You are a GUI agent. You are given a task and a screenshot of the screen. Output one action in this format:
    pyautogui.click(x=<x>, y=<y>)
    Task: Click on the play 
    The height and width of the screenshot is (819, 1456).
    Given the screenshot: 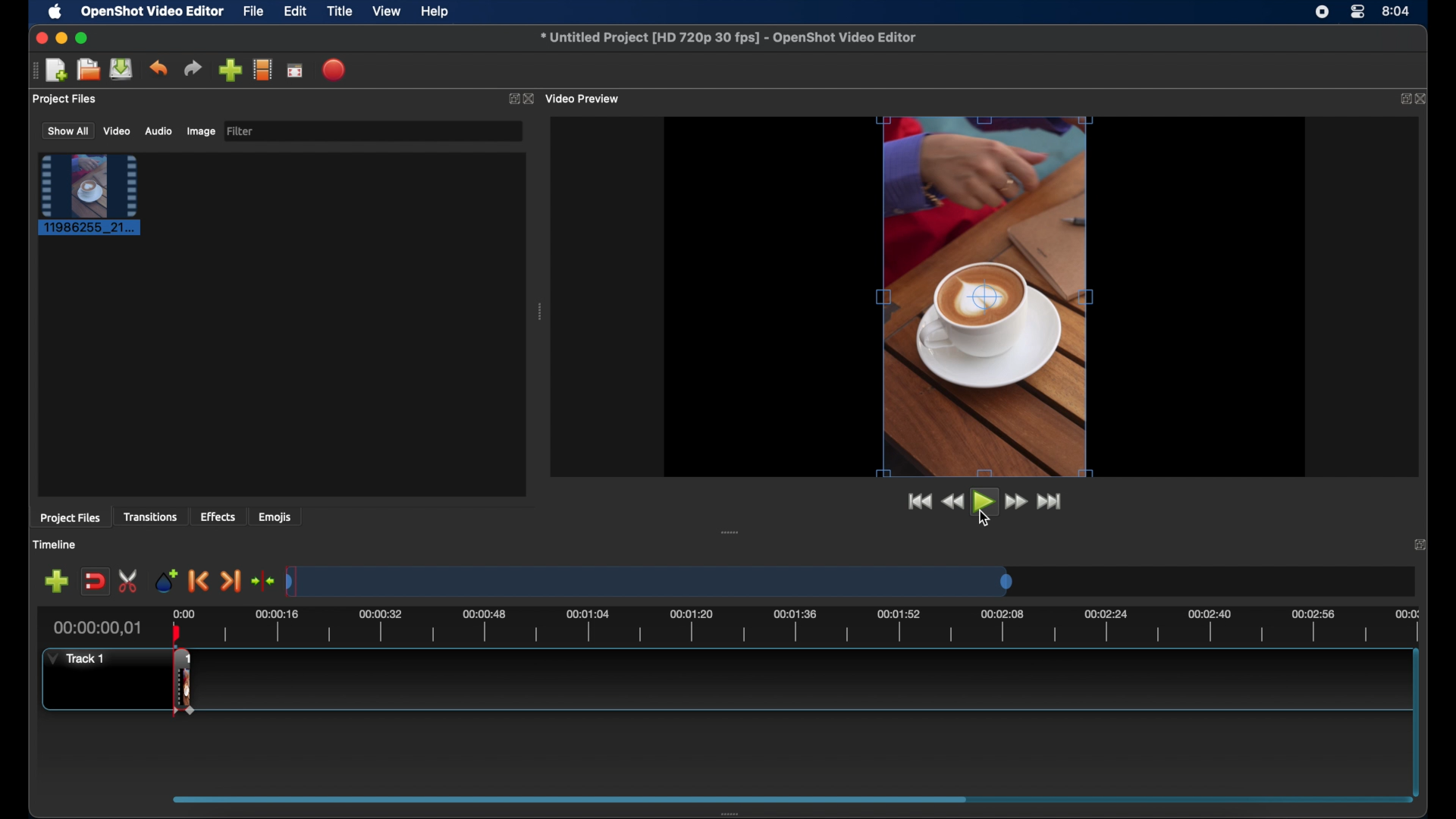 What is the action you would take?
    pyautogui.click(x=985, y=501)
    